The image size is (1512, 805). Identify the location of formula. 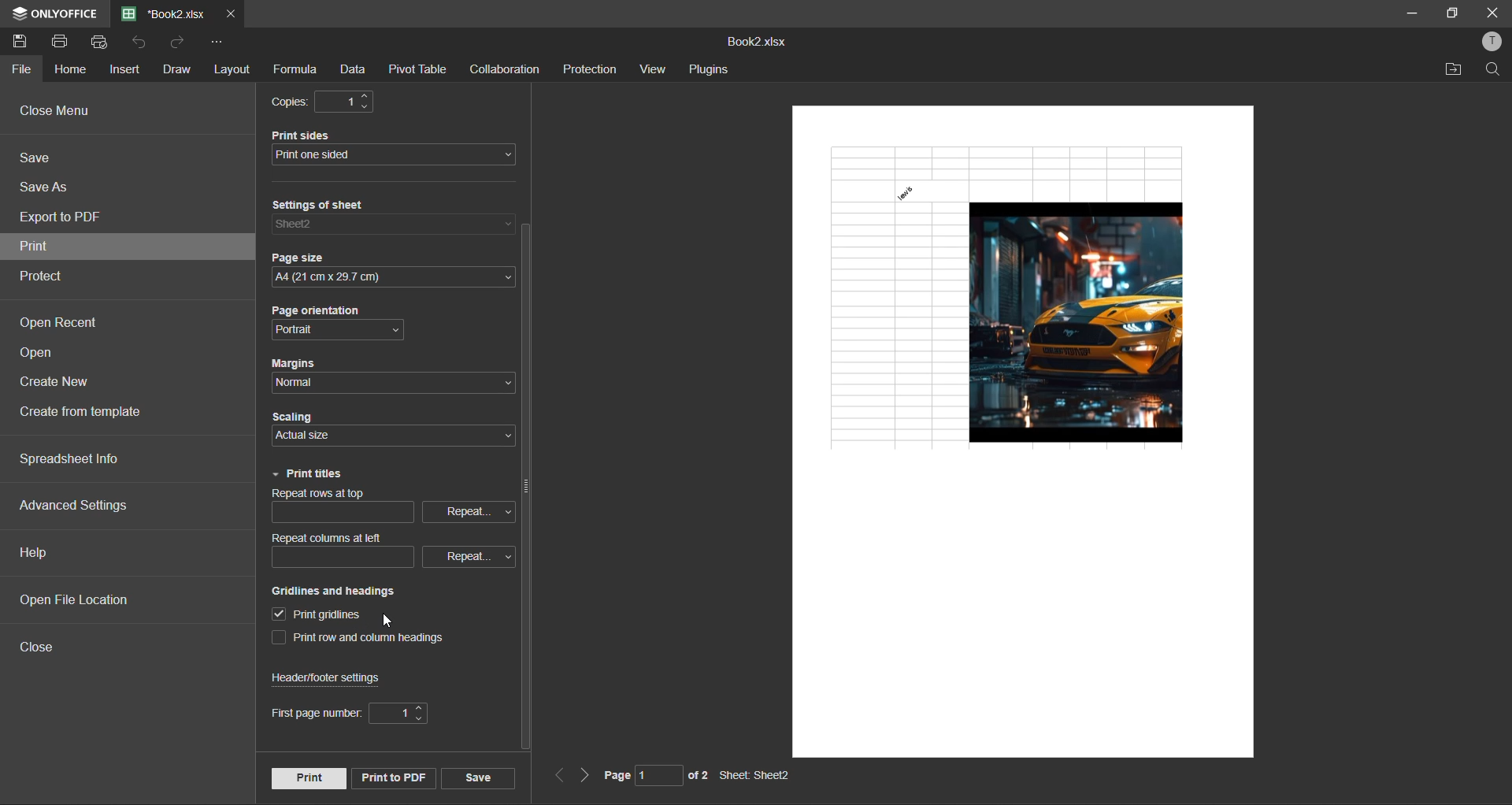
(294, 70).